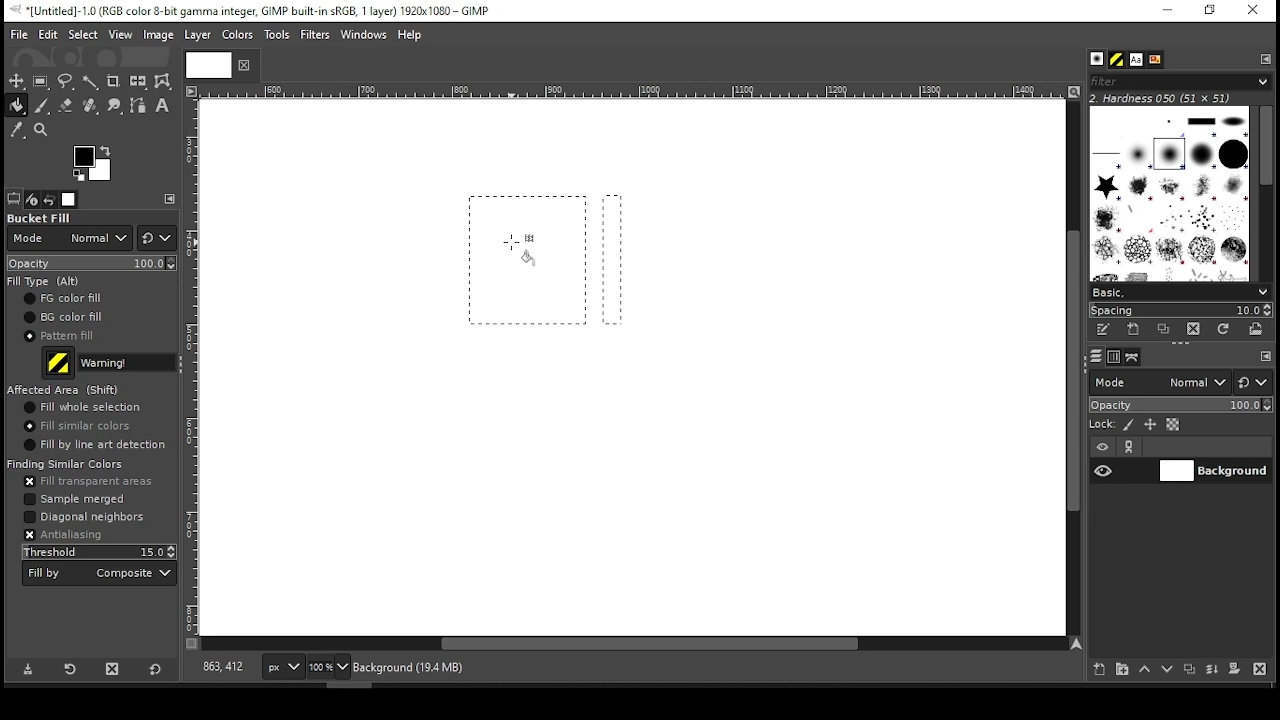 Image resolution: width=1280 pixels, height=720 pixels. What do you see at coordinates (68, 82) in the screenshot?
I see `free selection tool` at bounding box center [68, 82].